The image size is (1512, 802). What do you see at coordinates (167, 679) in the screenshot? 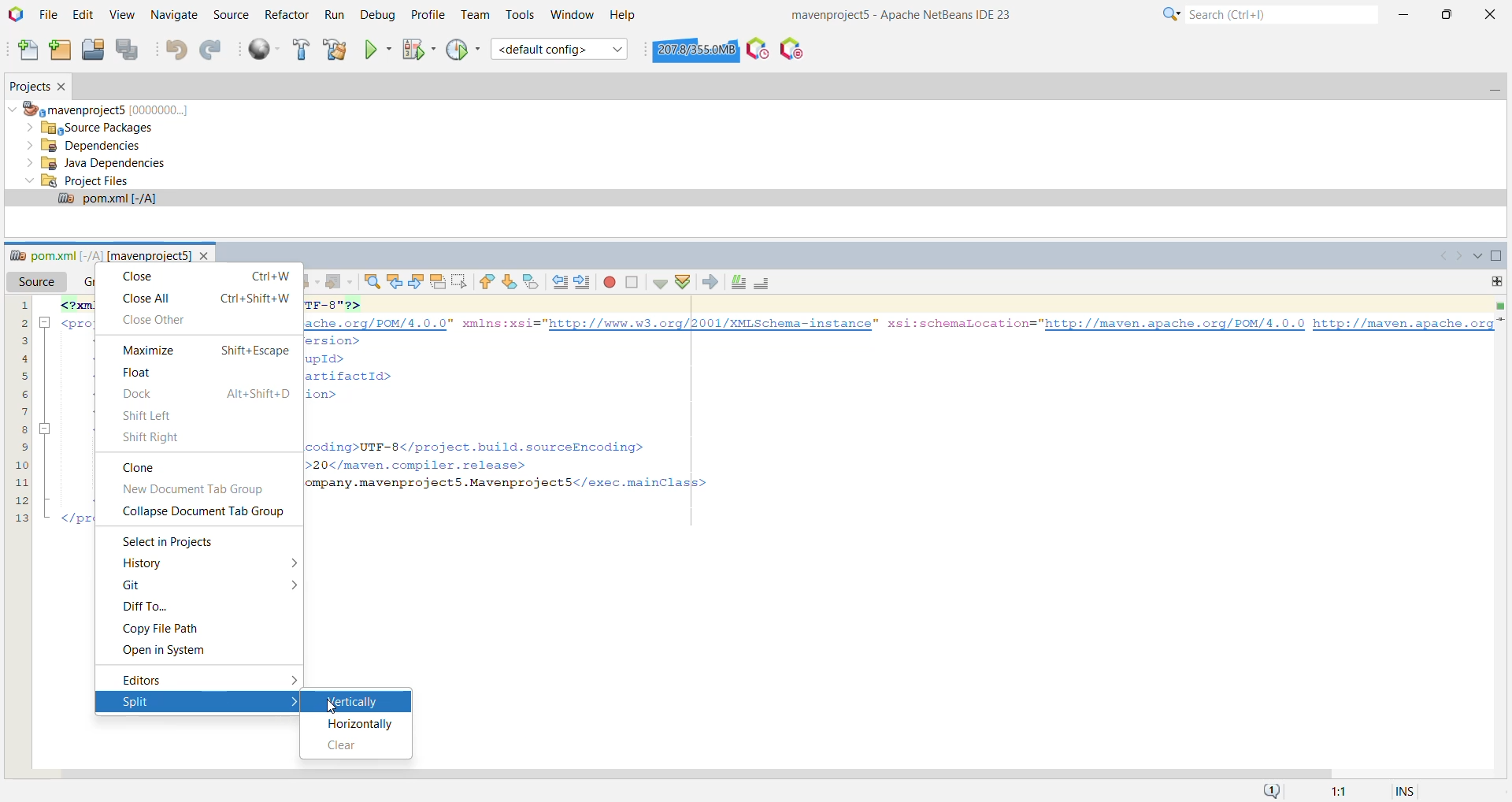
I see `Editors` at bounding box center [167, 679].